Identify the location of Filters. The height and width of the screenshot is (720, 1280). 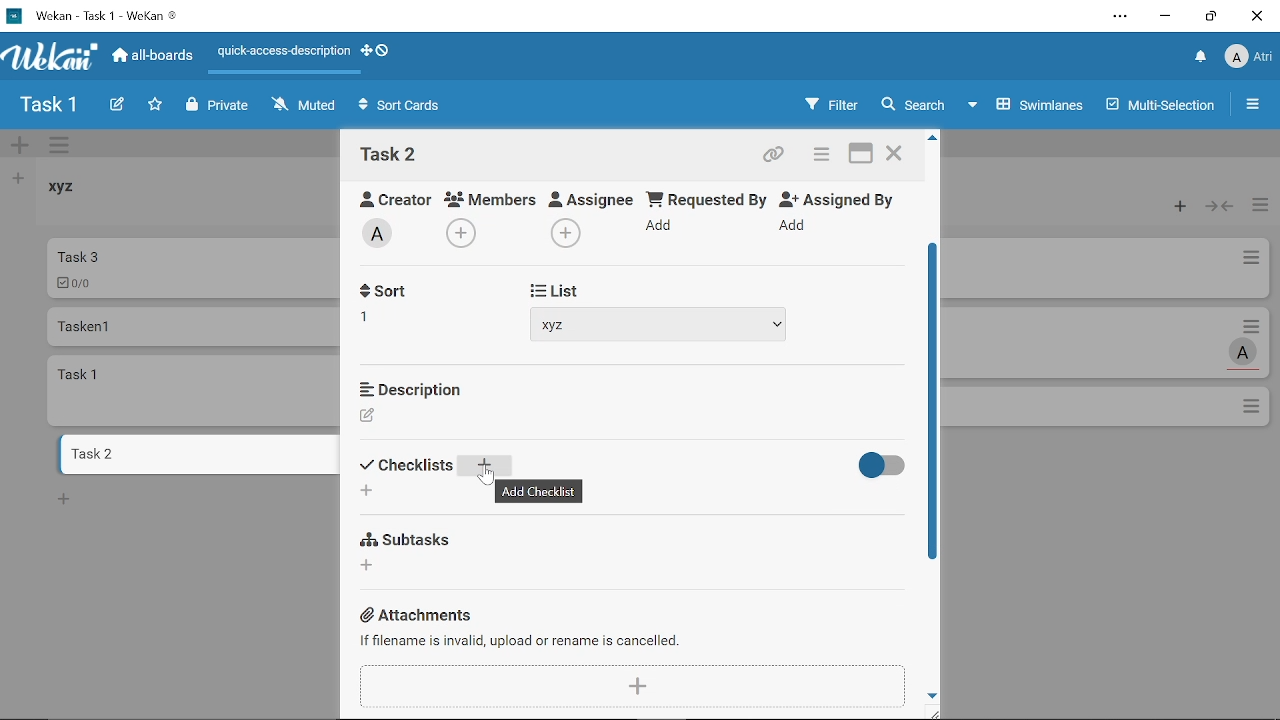
(827, 105).